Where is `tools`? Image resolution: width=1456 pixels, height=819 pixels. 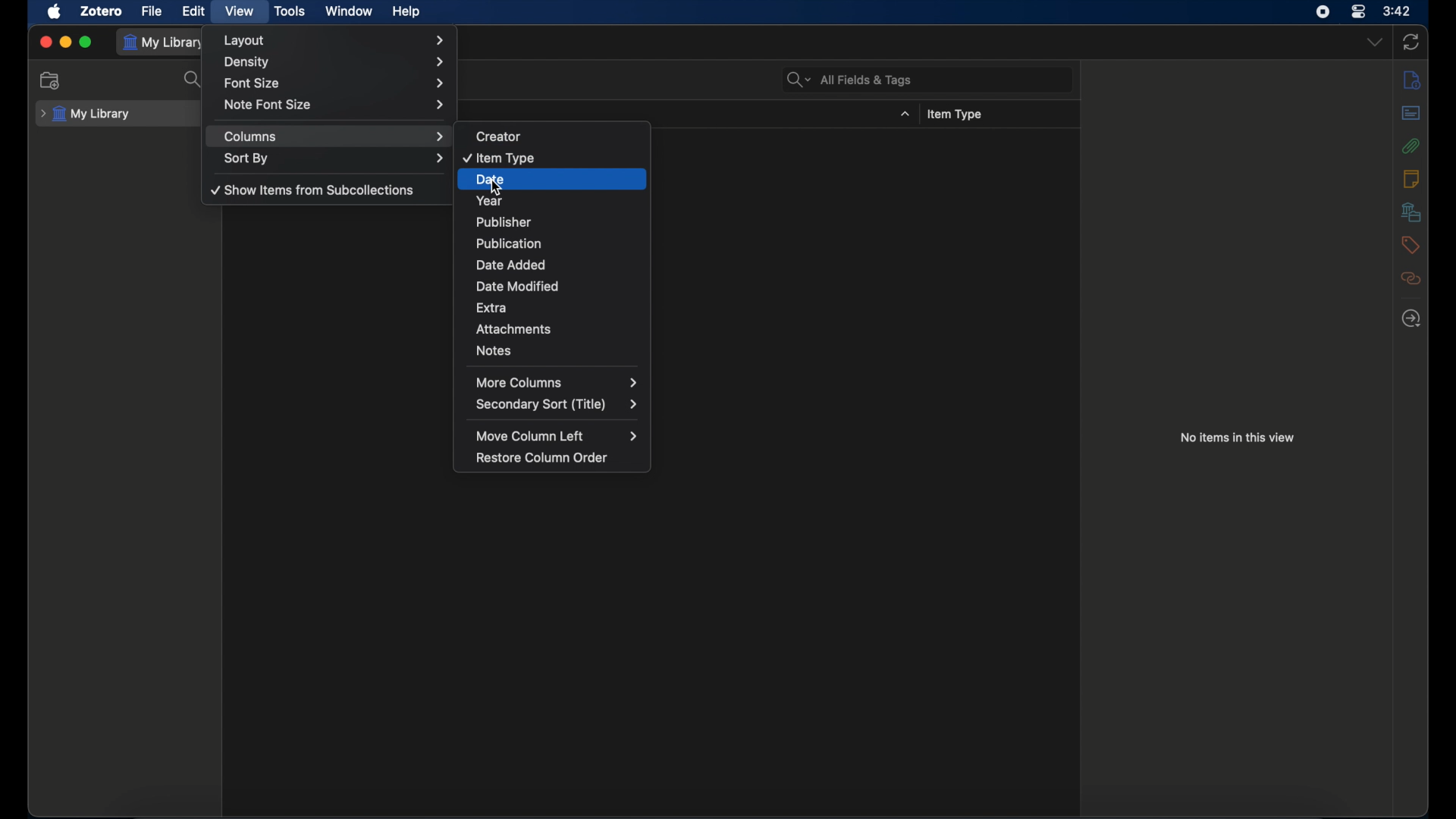
tools is located at coordinates (290, 11).